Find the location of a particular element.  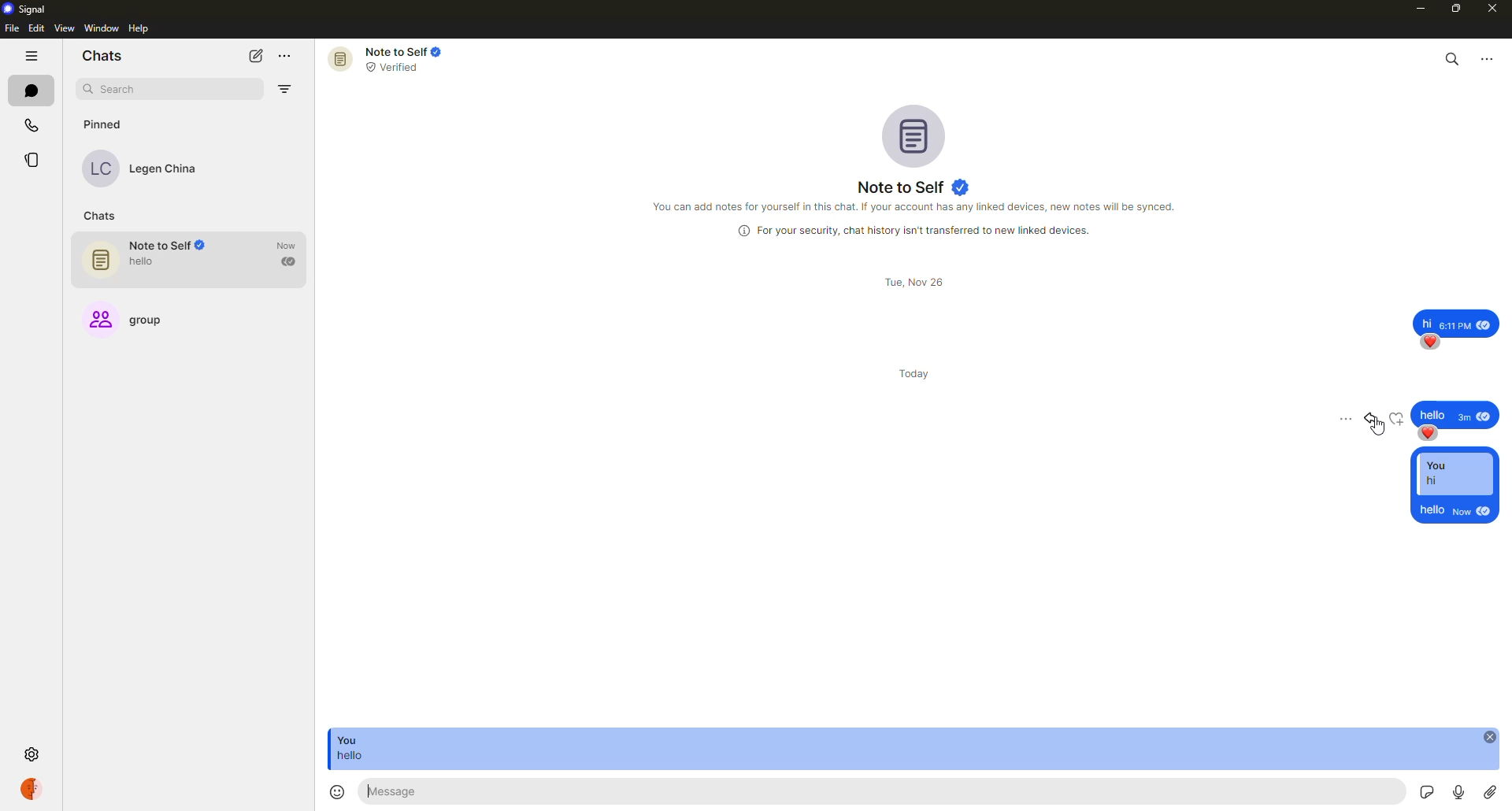

signal is located at coordinates (26, 9).